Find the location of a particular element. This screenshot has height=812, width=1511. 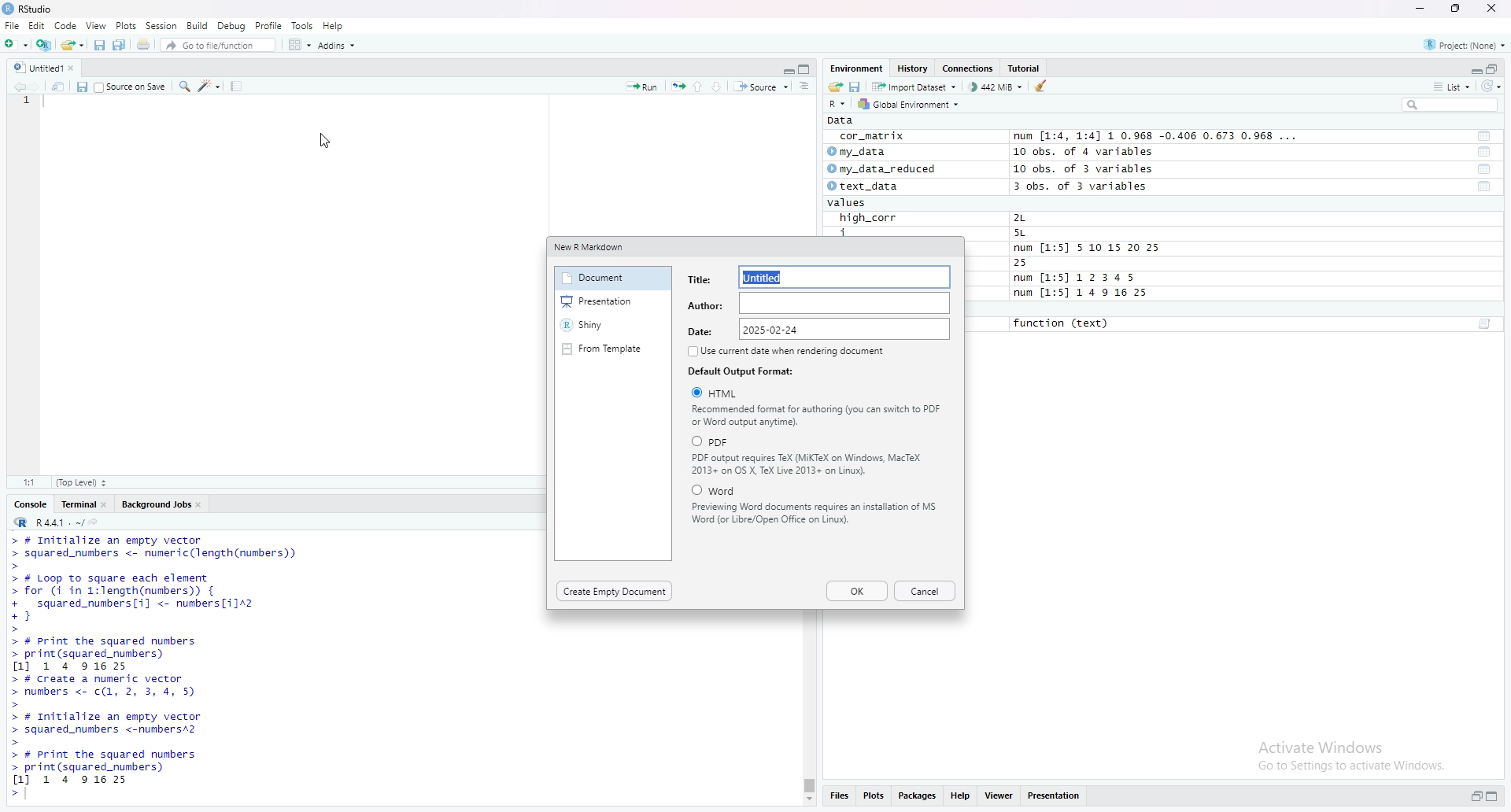

Untitled 1 is located at coordinates (33, 68).